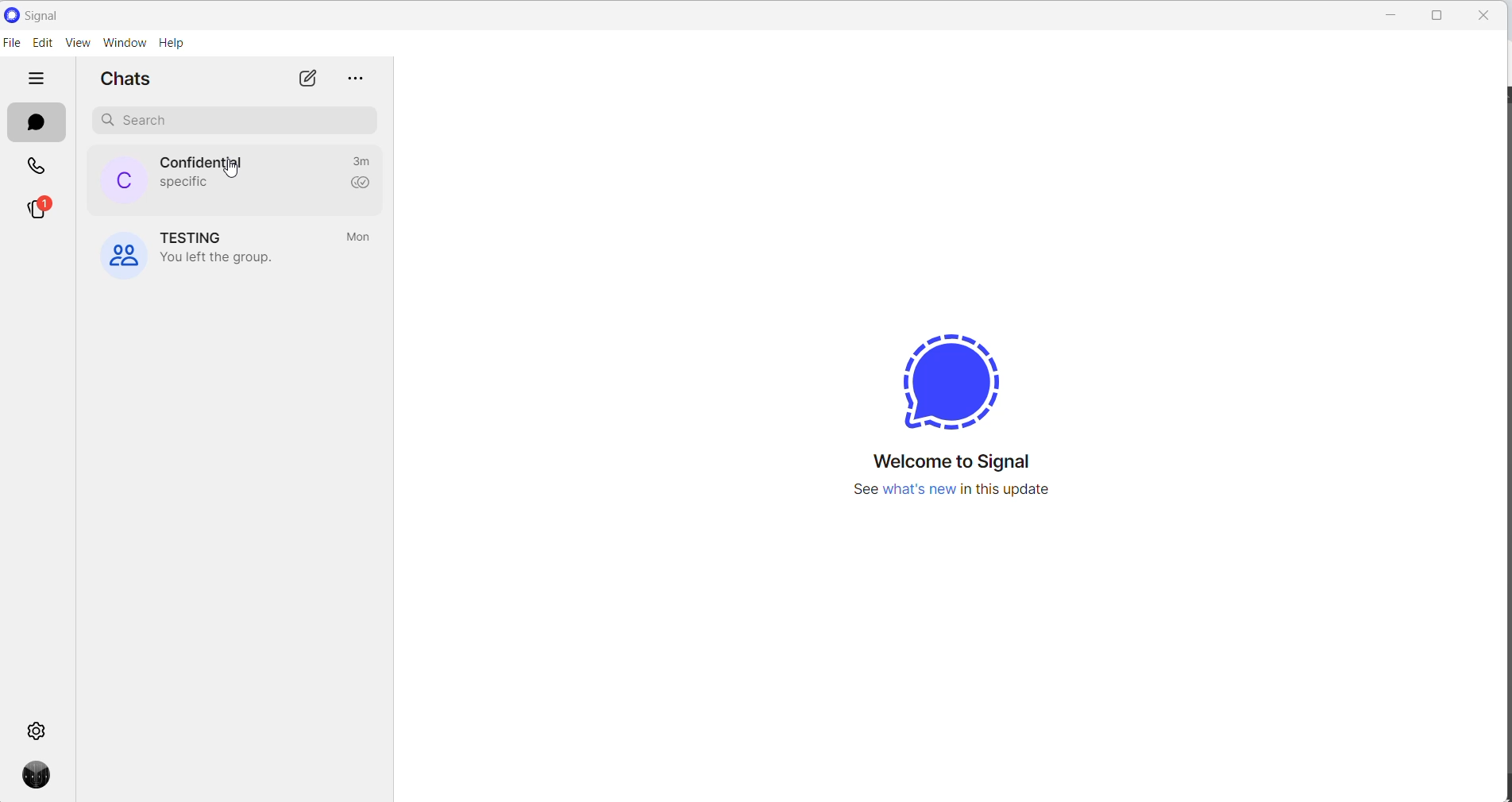 The width and height of the screenshot is (1512, 802). Describe the element at coordinates (39, 166) in the screenshot. I see `calls` at that location.